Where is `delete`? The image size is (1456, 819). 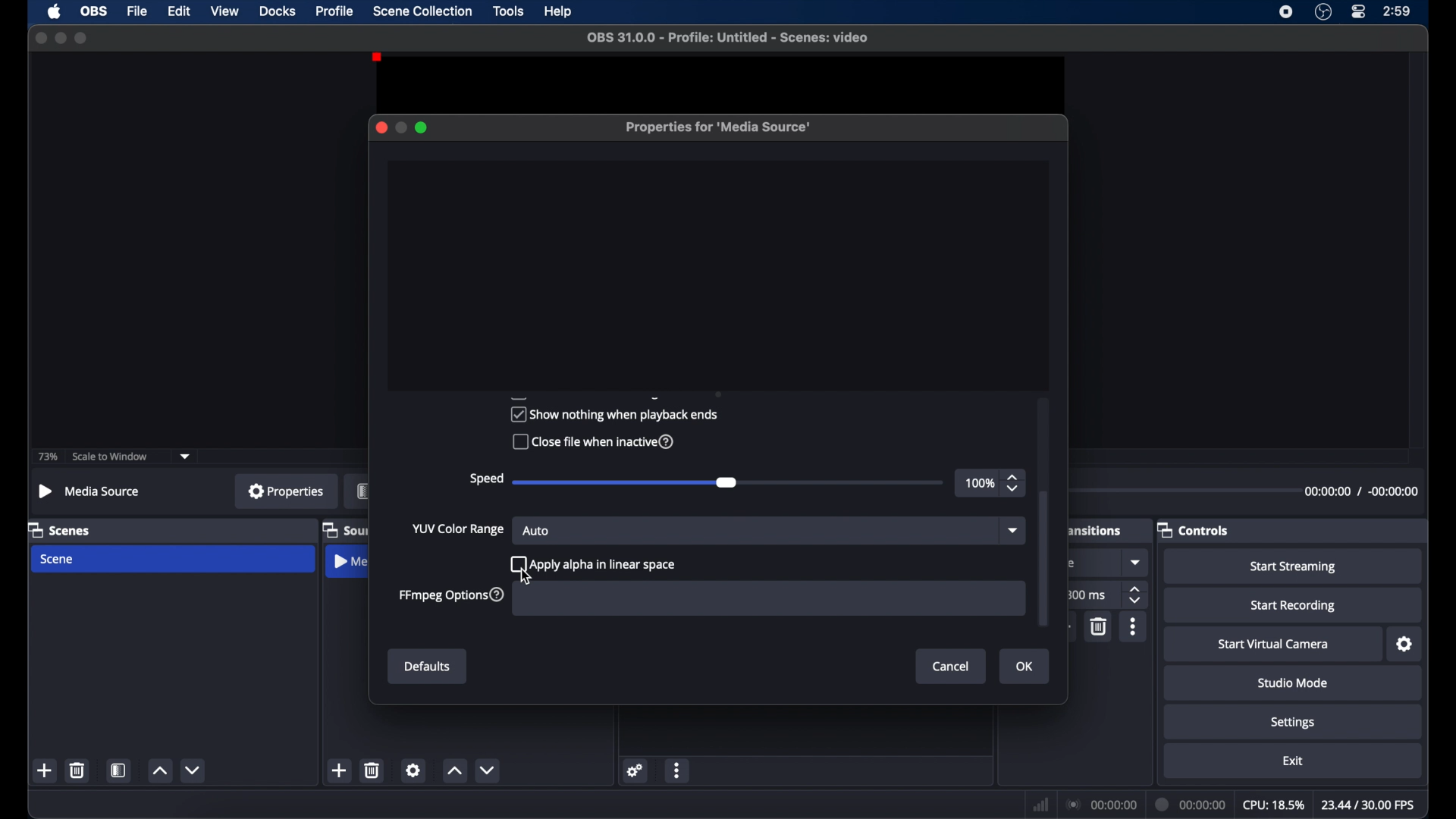
delete is located at coordinates (1100, 627).